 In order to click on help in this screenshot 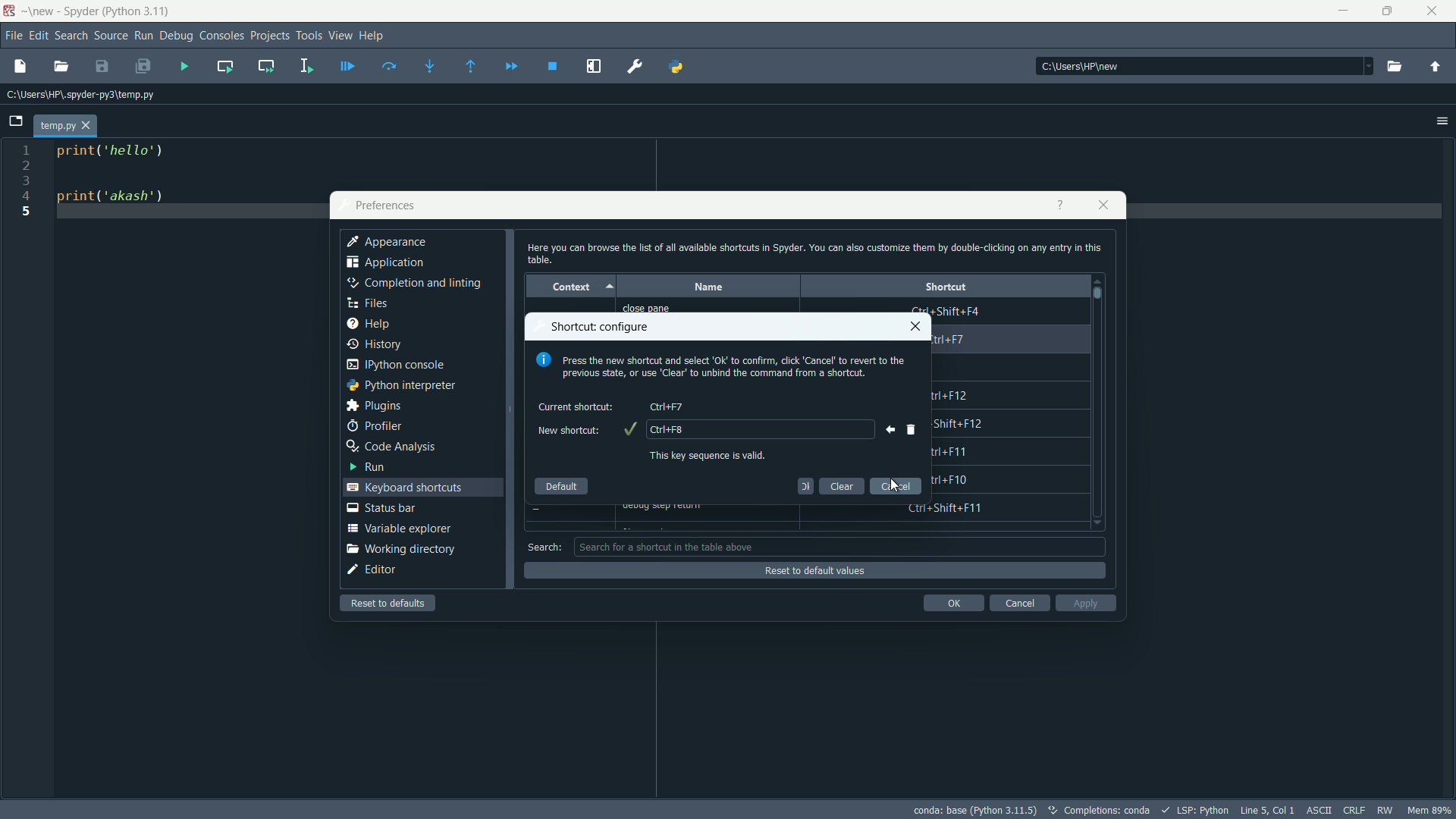, I will do `click(367, 325)`.